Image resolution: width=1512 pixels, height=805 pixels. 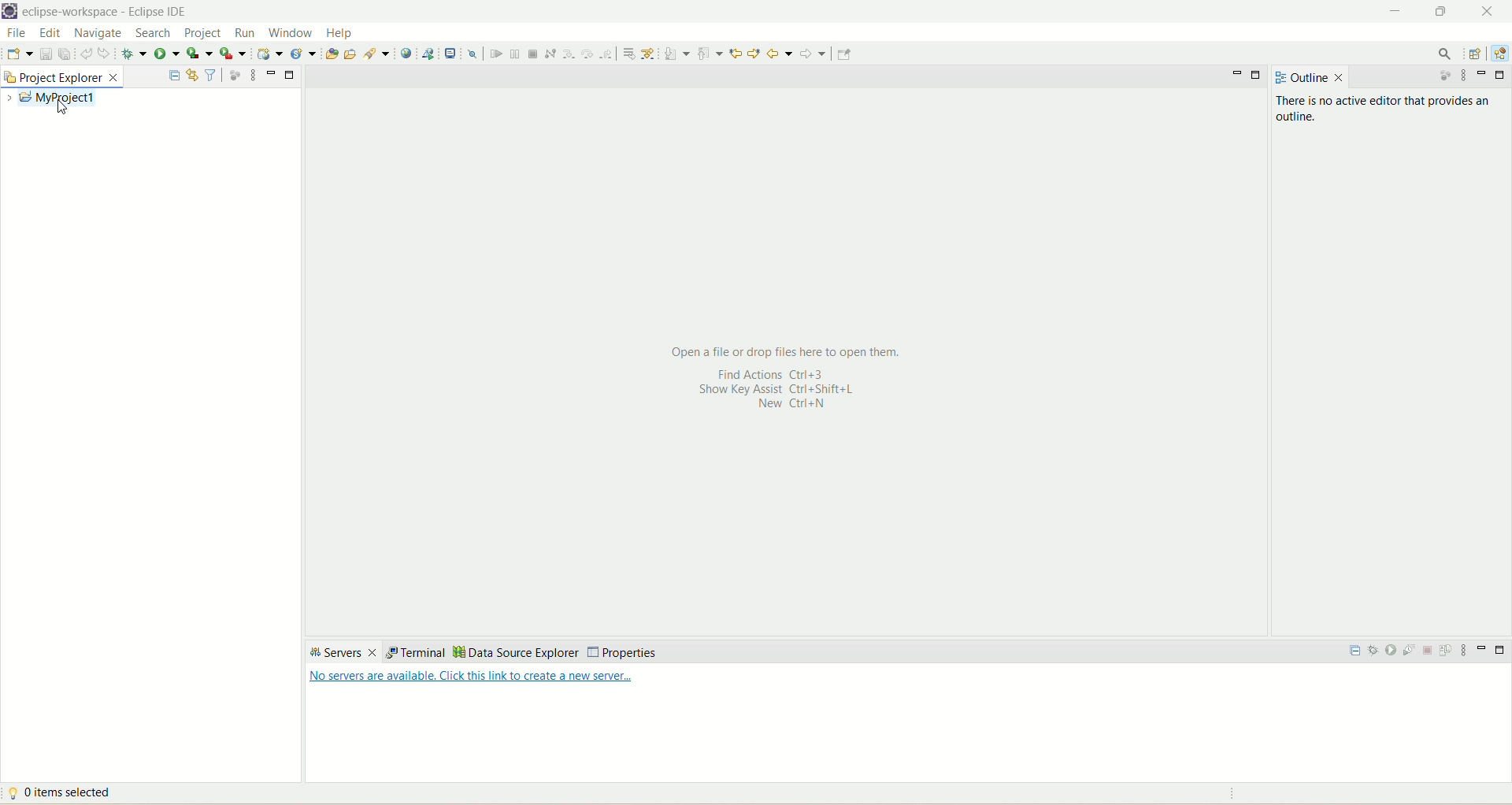 I want to click on maximize, so click(x=1503, y=76).